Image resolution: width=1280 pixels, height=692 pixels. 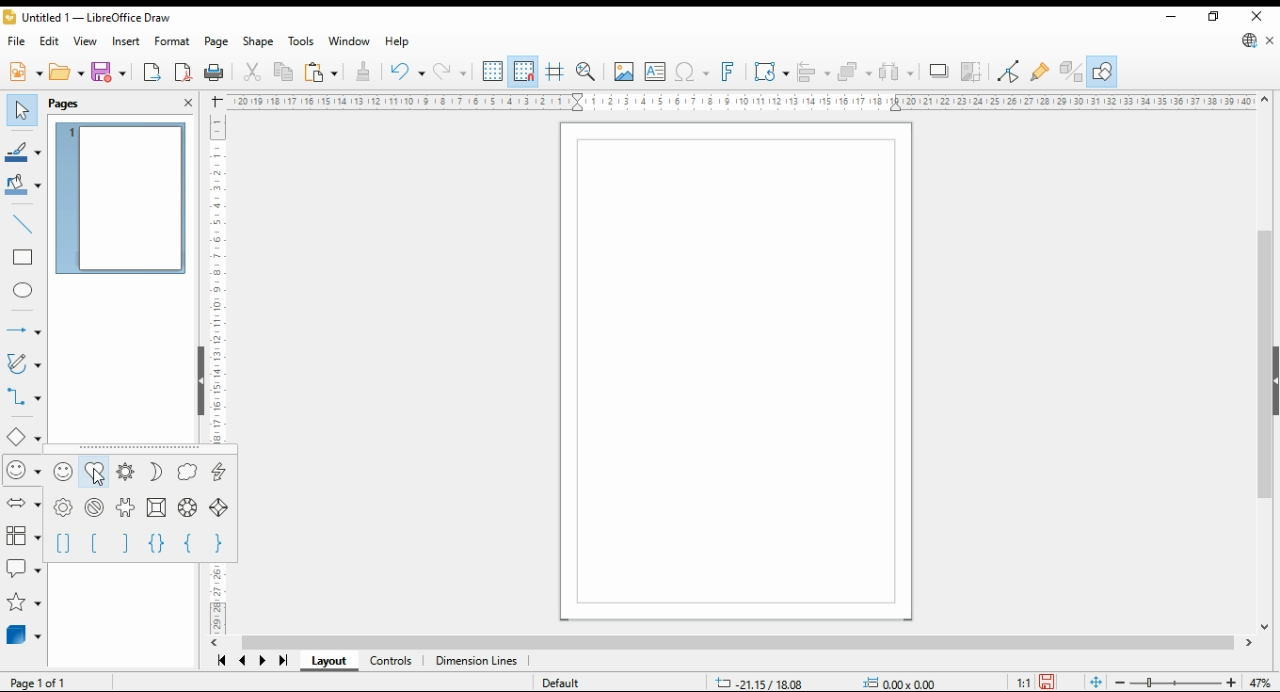 What do you see at coordinates (1260, 681) in the screenshot?
I see `zoom factor` at bounding box center [1260, 681].